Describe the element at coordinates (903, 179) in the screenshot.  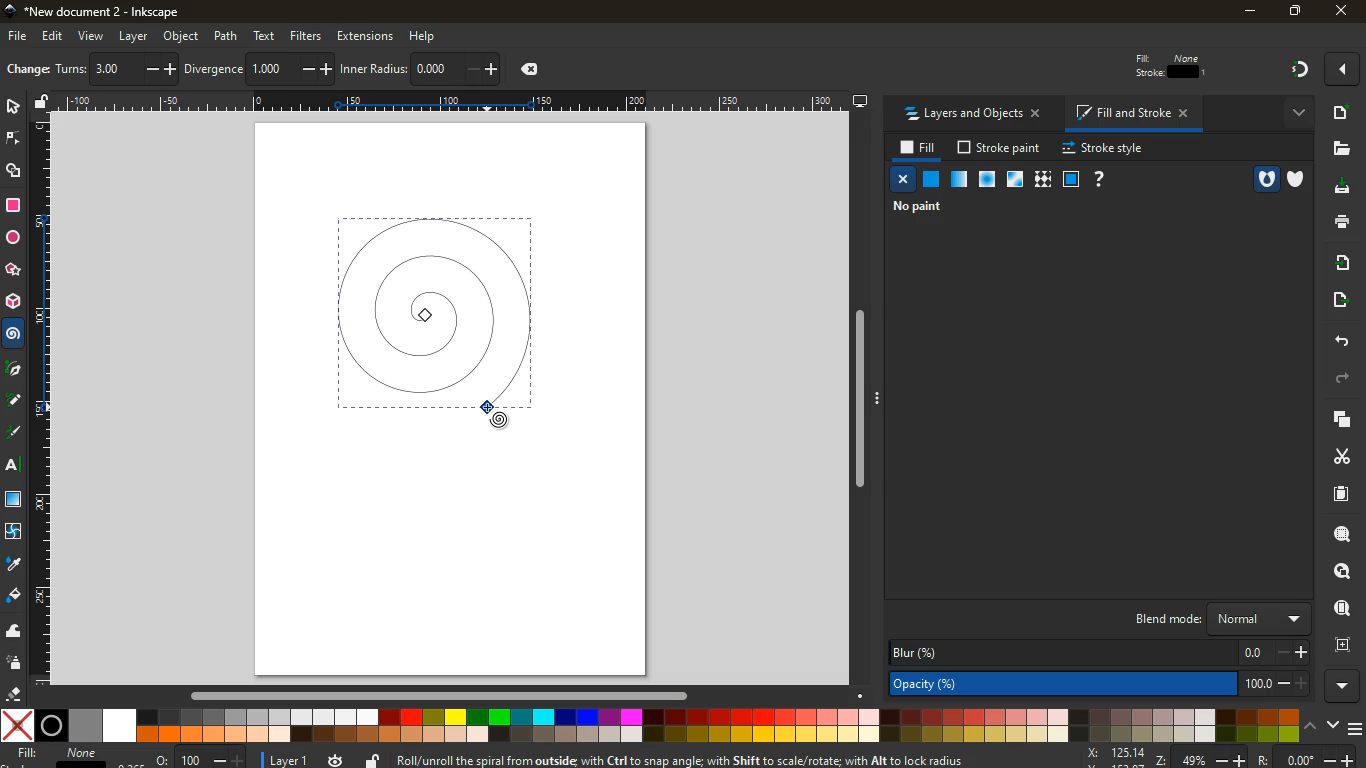
I see `close` at that location.